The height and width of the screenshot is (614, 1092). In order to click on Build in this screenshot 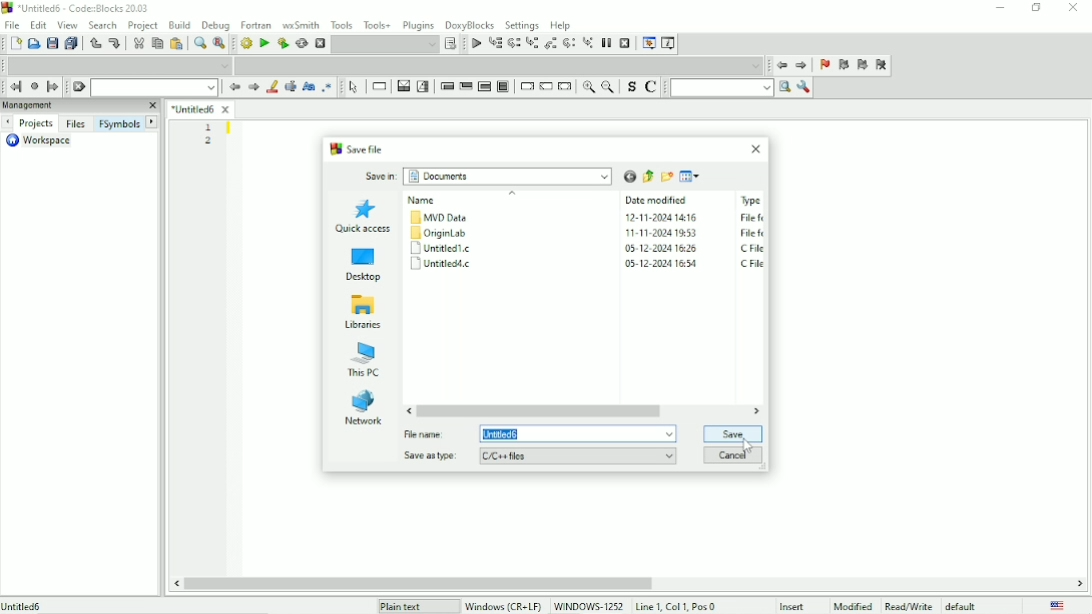, I will do `click(180, 24)`.